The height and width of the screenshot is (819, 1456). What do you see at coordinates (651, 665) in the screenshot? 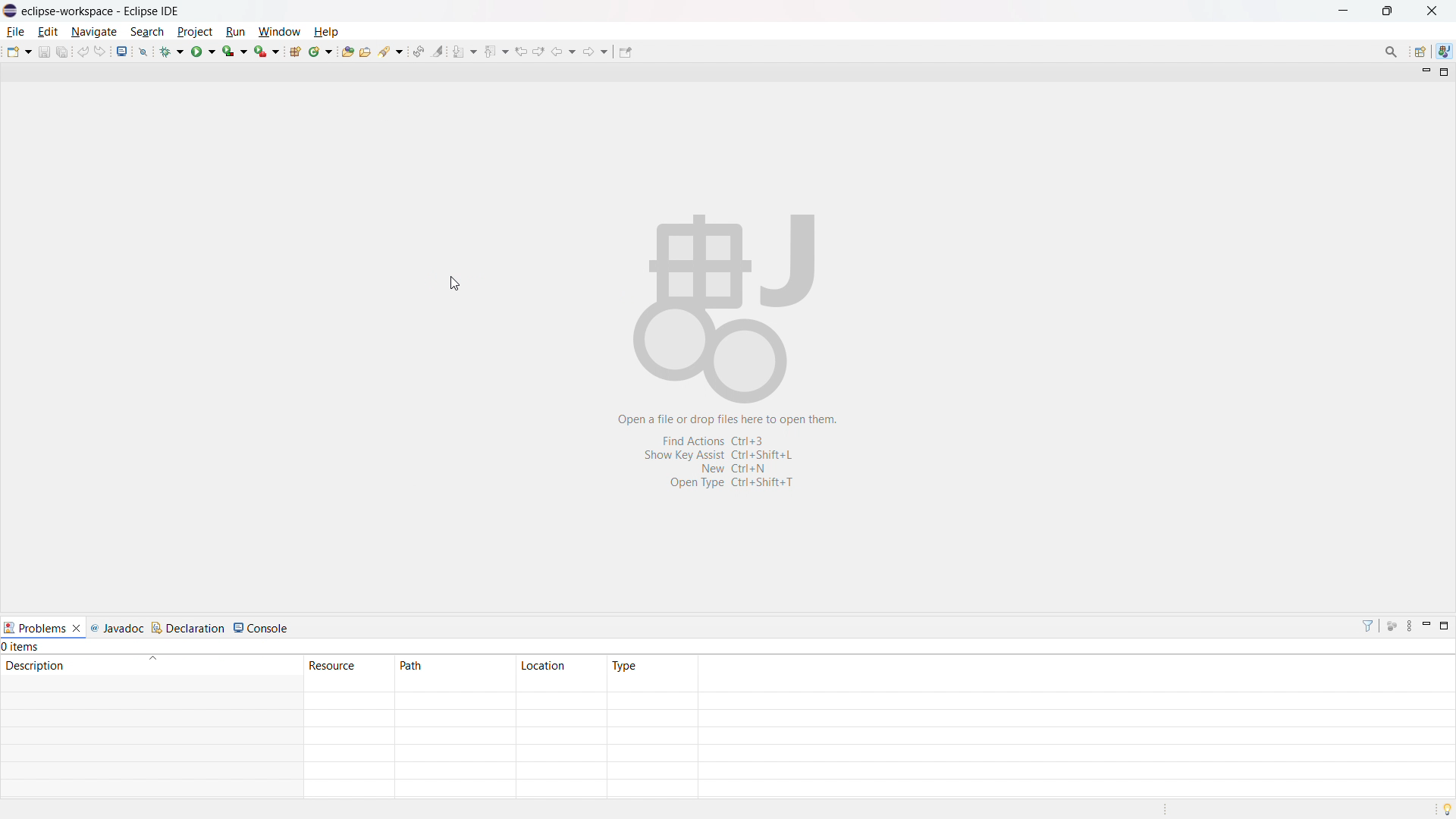
I see `type` at bounding box center [651, 665].